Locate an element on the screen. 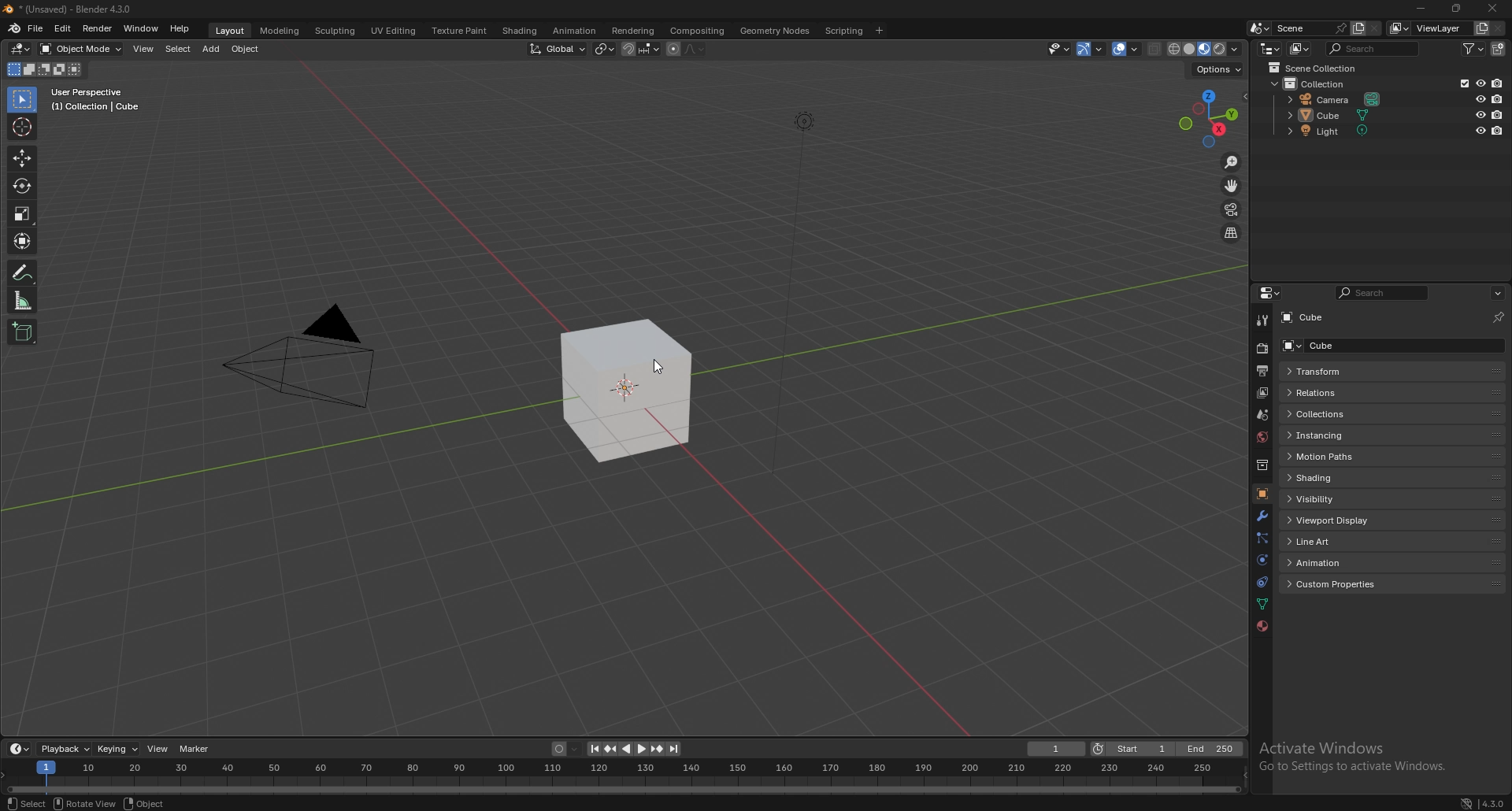  search is located at coordinates (1369, 49).